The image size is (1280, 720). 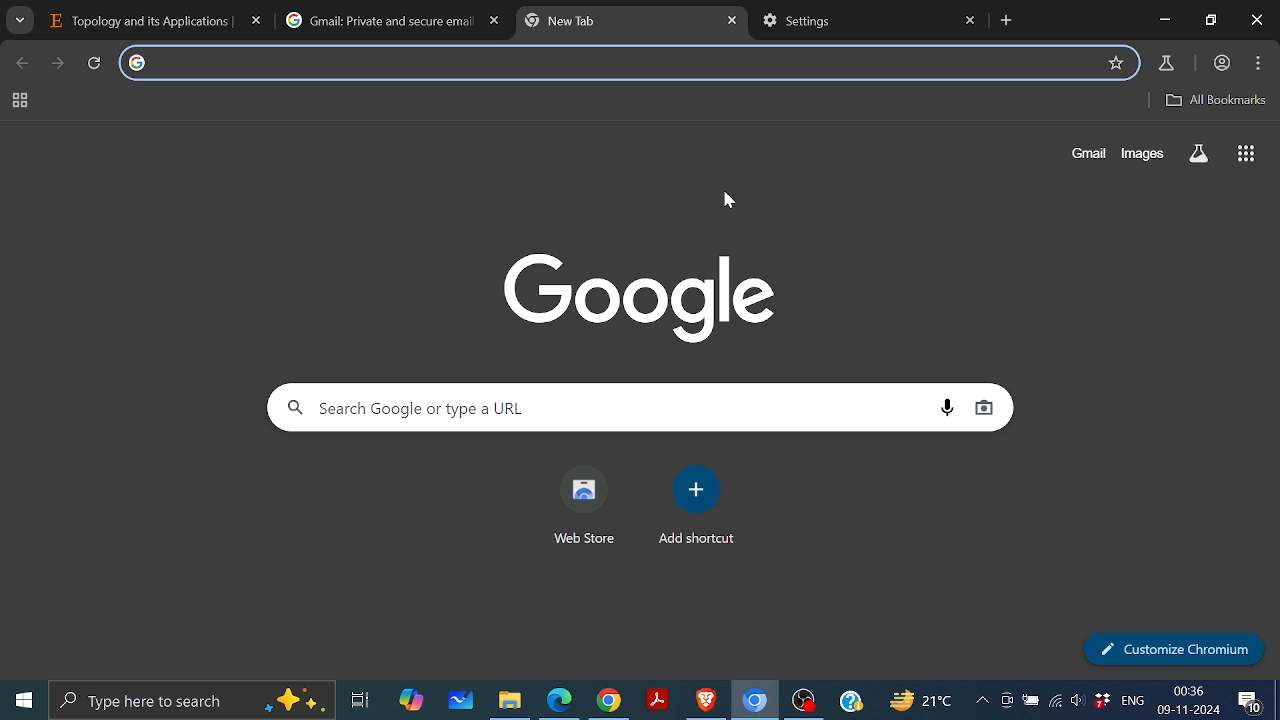 I want to click on 3rd and current tab, so click(x=618, y=23).